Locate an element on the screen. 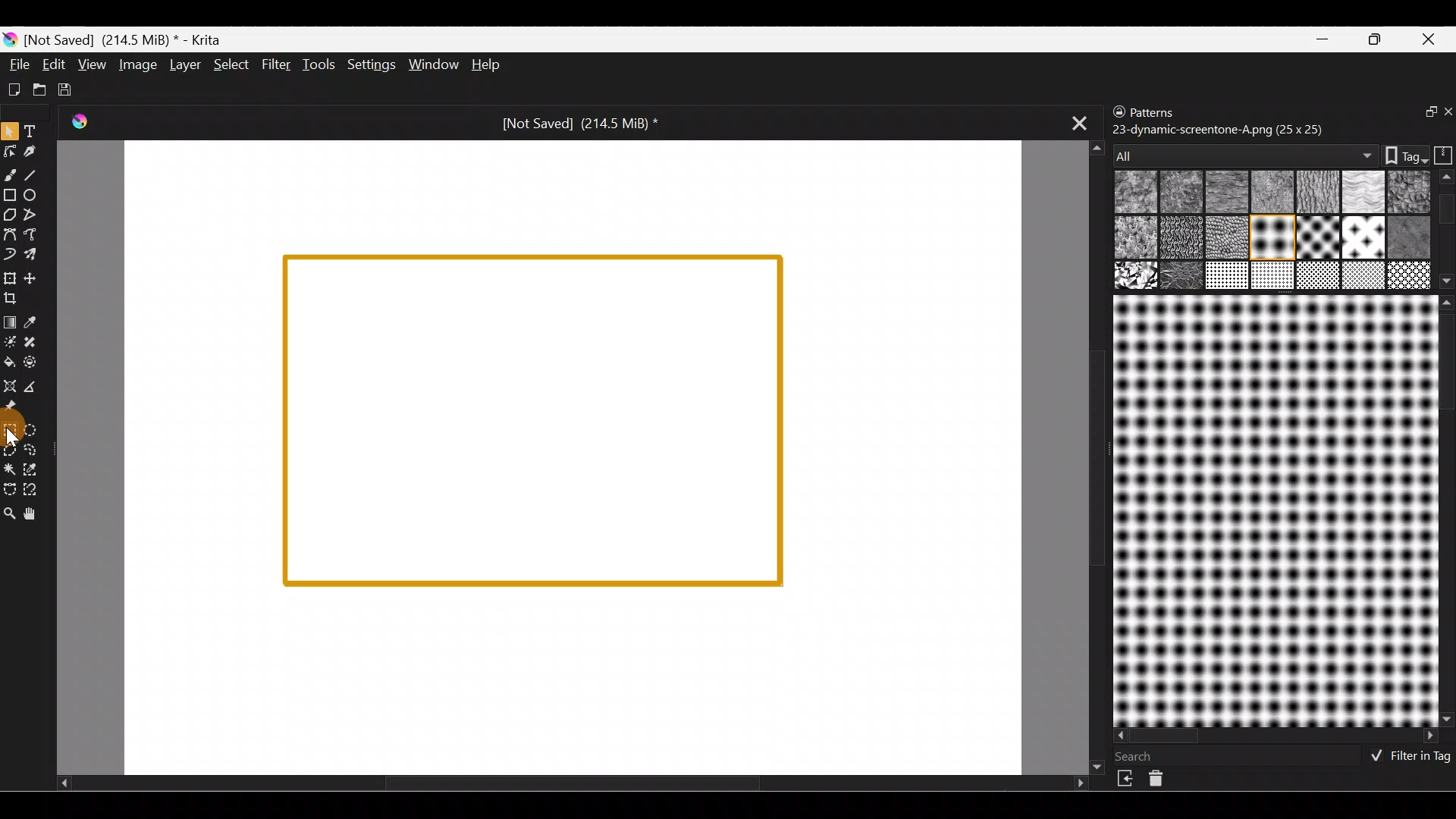  Scroll bar is located at coordinates (1277, 736).